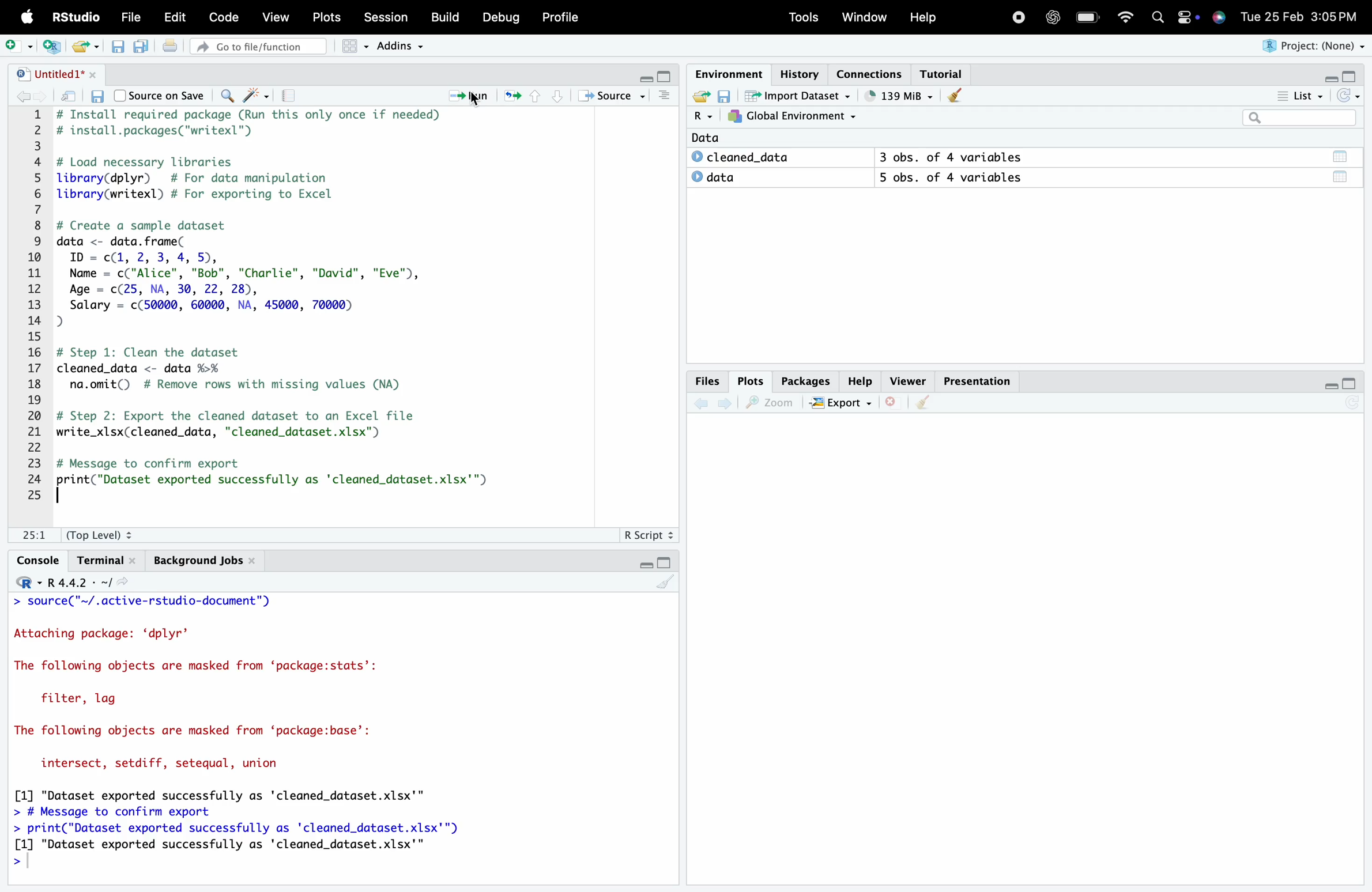 The width and height of the screenshot is (1372, 892). Describe the element at coordinates (160, 95) in the screenshot. I see `Source on Save` at that location.